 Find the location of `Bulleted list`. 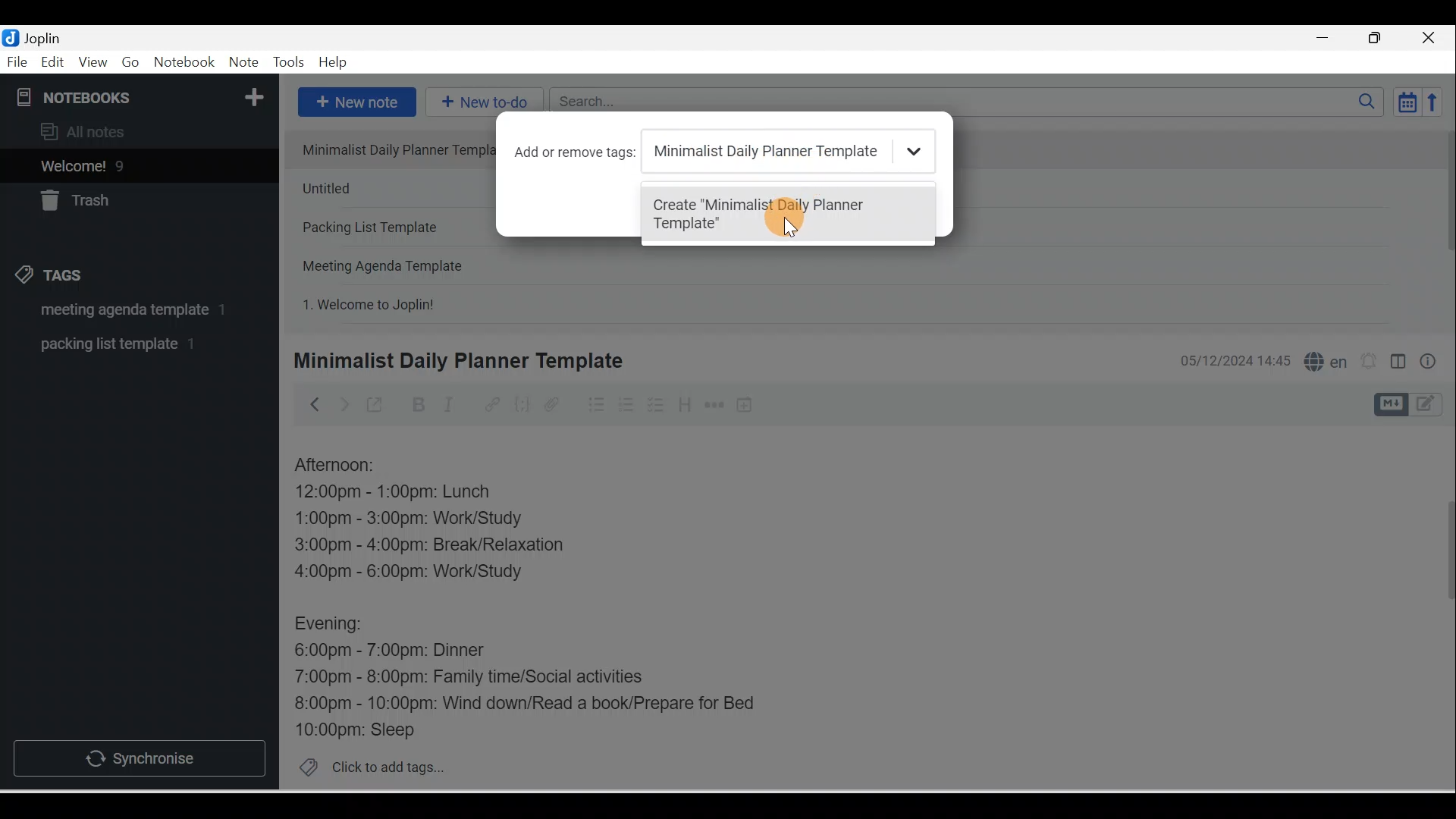

Bulleted list is located at coordinates (593, 404).